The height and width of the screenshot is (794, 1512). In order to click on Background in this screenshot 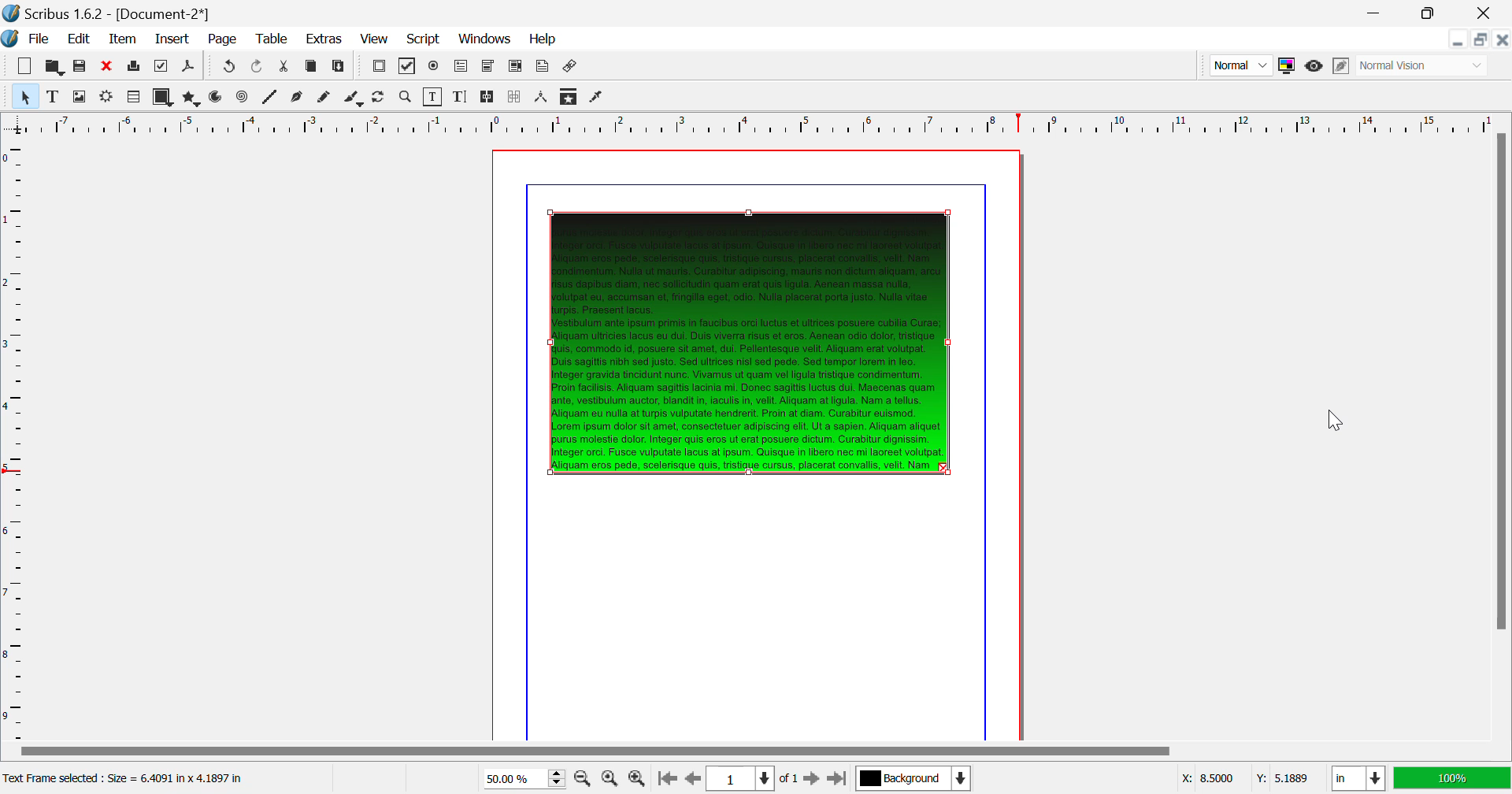, I will do `click(913, 780)`.